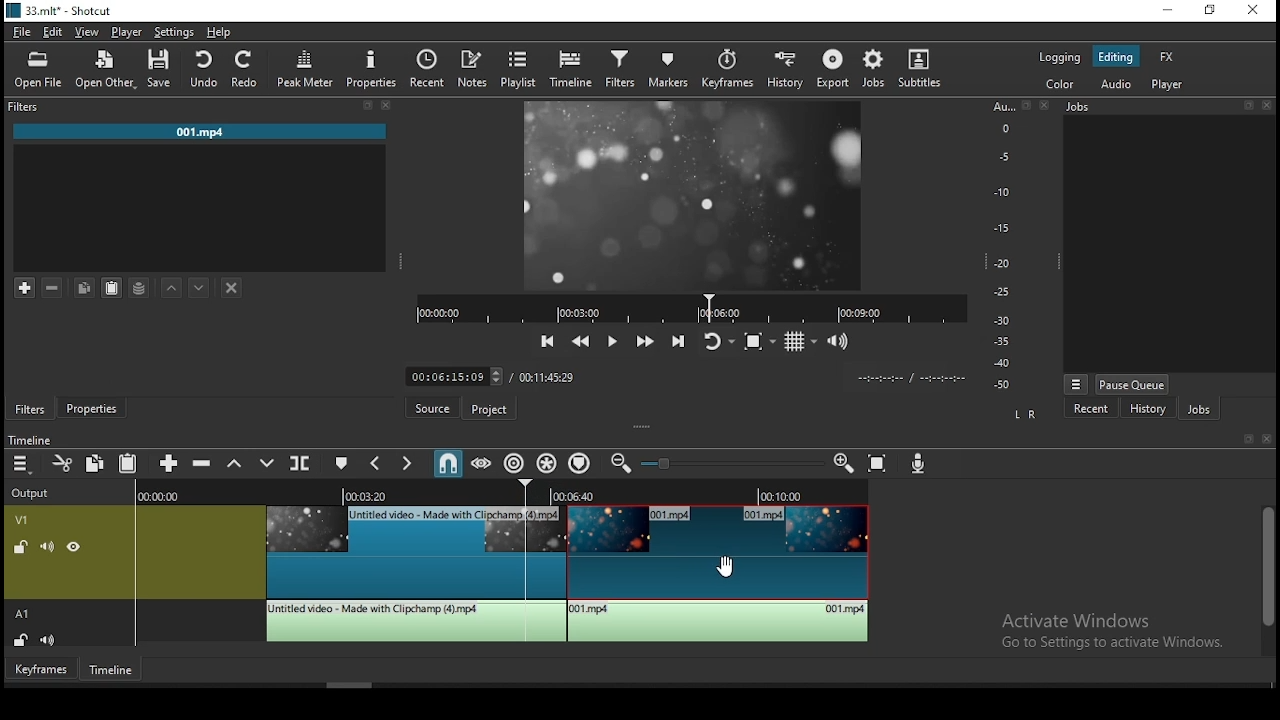  Describe the element at coordinates (726, 564) in the screenshot. I see `mouse pointer` at that location.